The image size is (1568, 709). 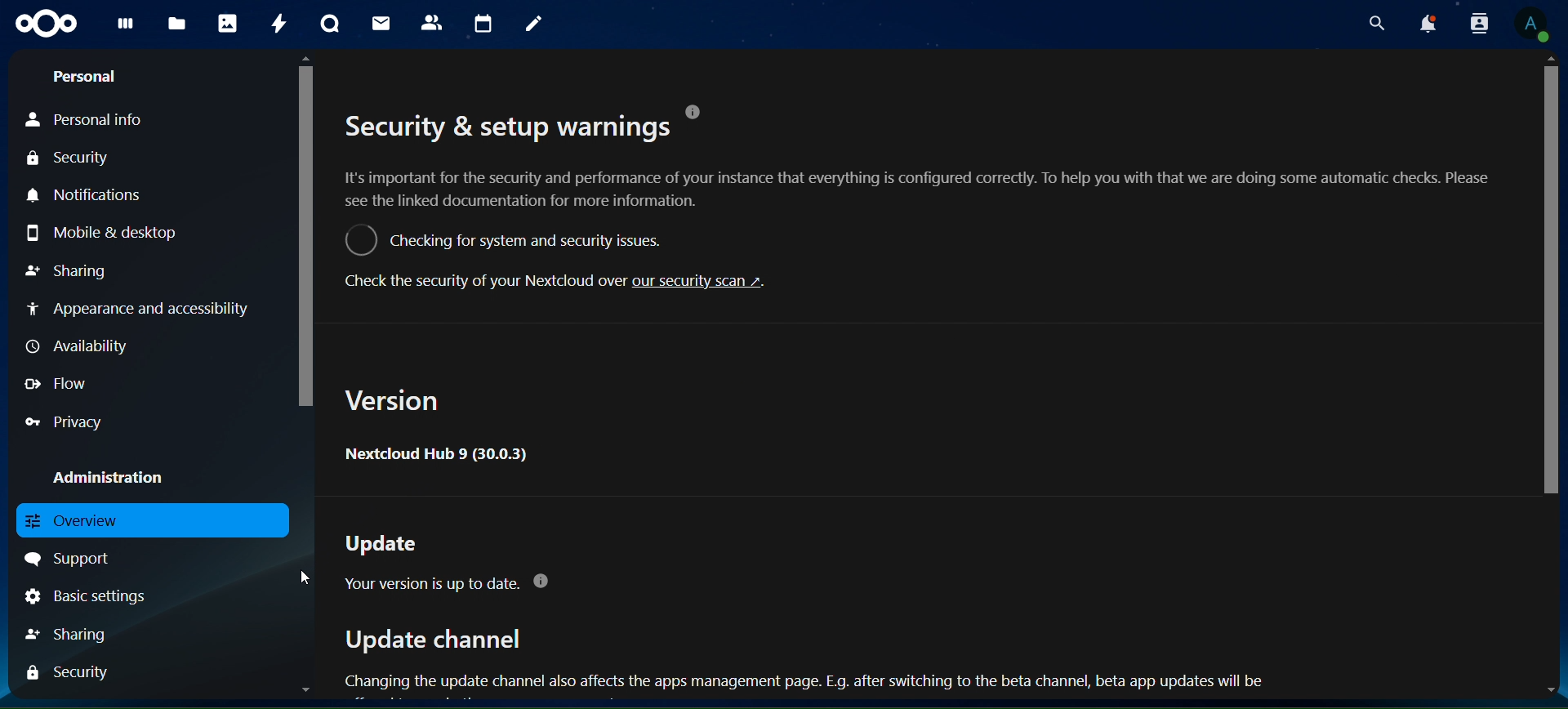 What do you see at coordinates (83, 345) in the screenshot?
I see `availability` at bounding box center [83, 345].